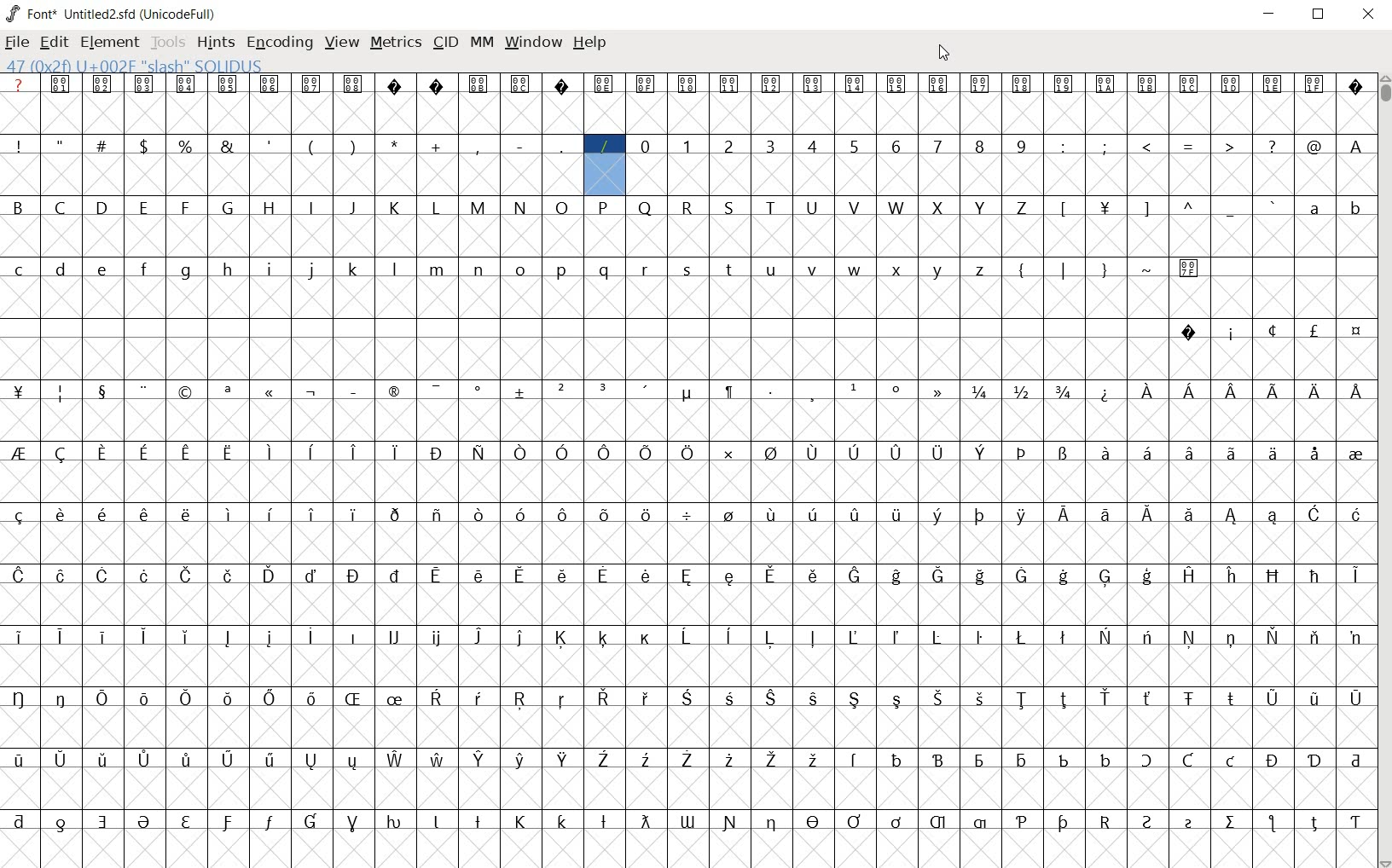  I want to click on glyph, so click(270, 822).